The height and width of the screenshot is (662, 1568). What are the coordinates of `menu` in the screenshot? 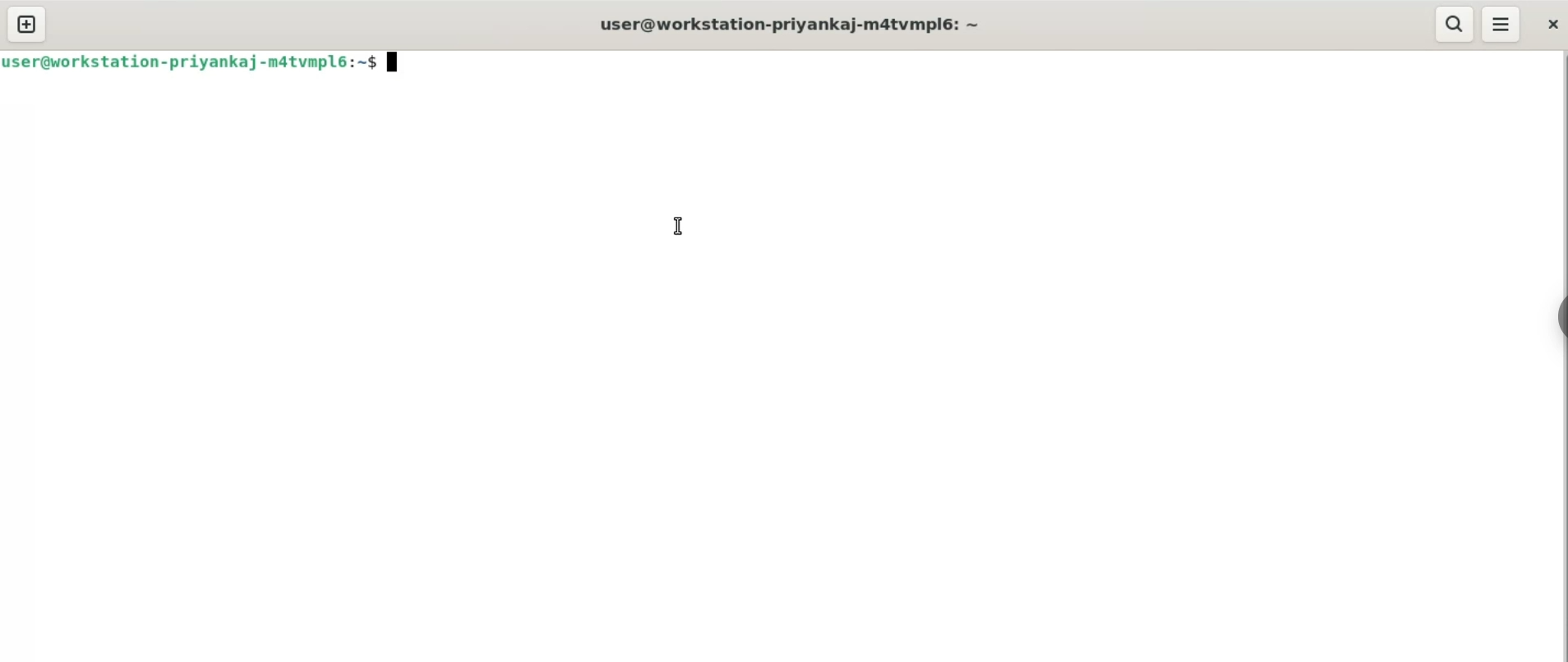 It's located at (1503, 25).